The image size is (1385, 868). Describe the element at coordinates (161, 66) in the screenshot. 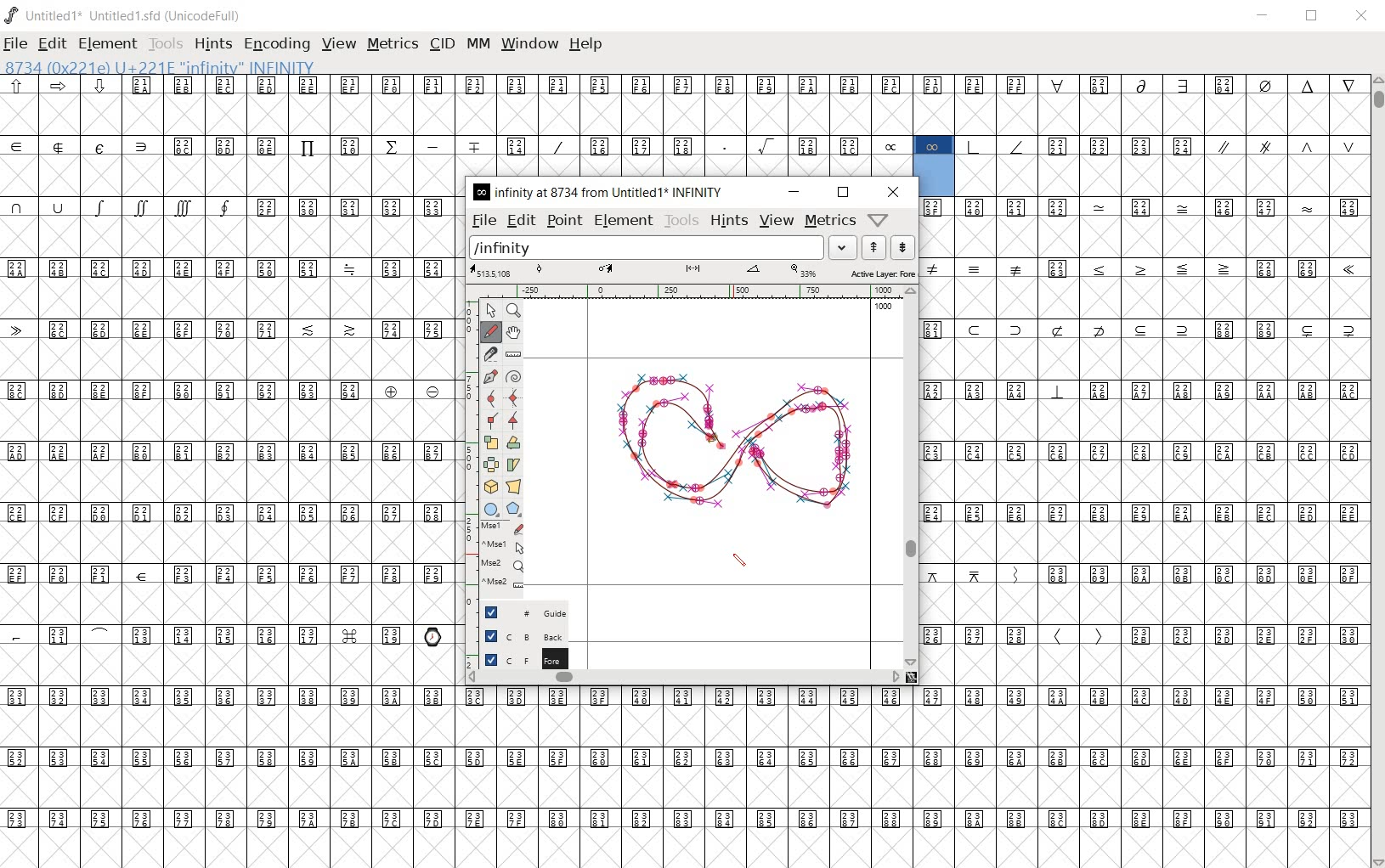

I see `8734 (0x221e) U+221e "infinity" INFINITY` at that location.